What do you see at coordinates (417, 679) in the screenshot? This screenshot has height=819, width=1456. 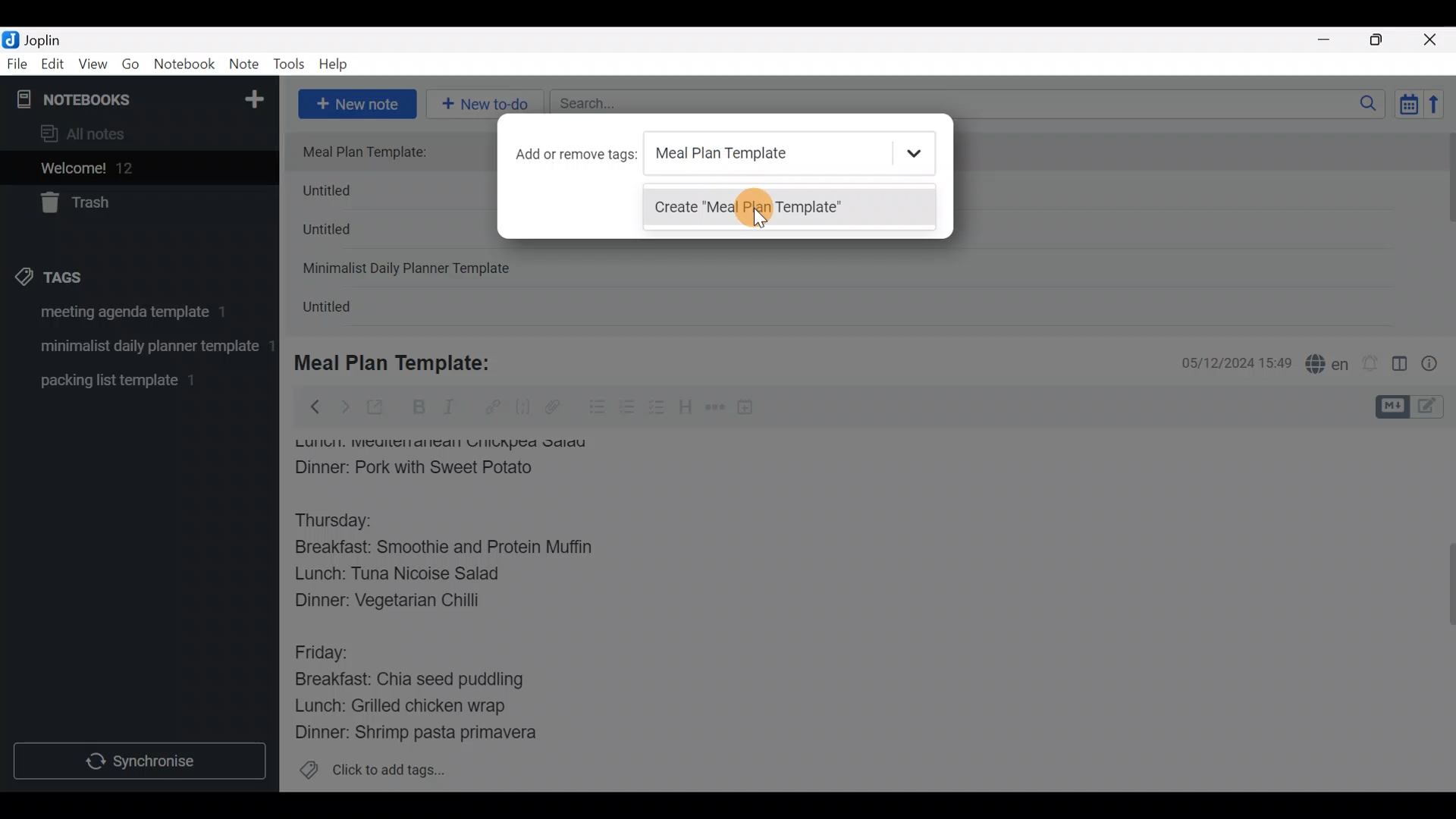 I see `Breakfast: Chia seed puddling` at bounding box center [417, 679].